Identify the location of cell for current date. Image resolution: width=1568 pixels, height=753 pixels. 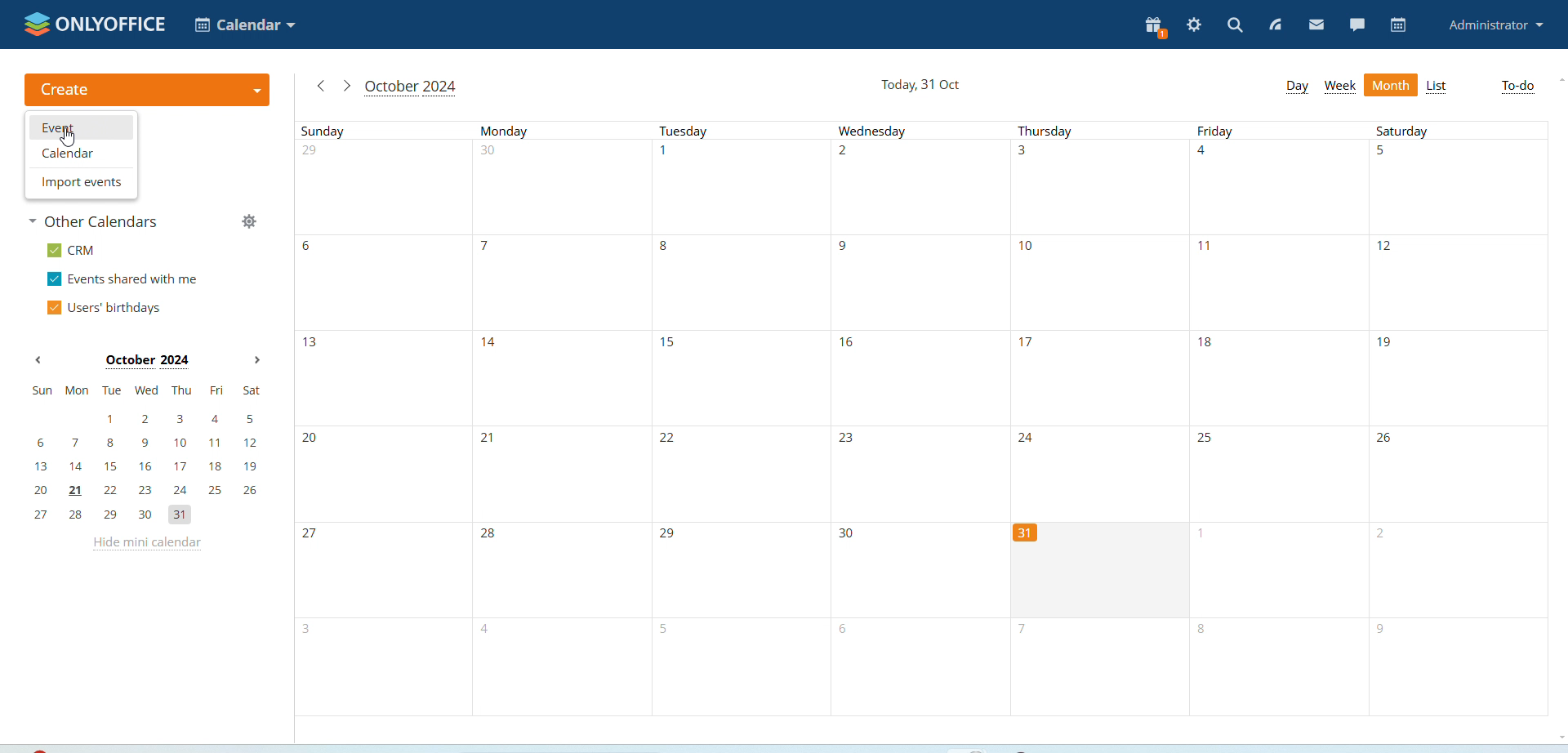
(1099, 572).